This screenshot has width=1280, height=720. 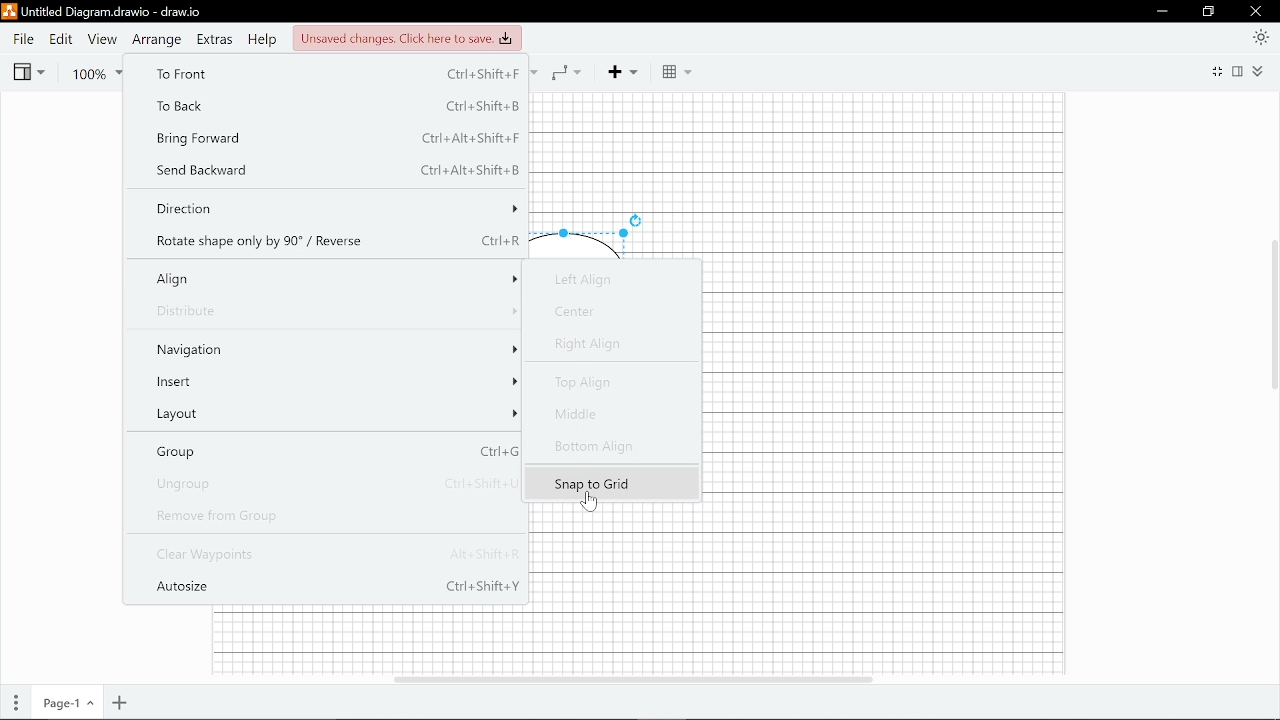 What do you see at coordinates (335, 76) in the screenshot?
I see `To front Ctrl+Shift+F` at bounding box center [335, 76].